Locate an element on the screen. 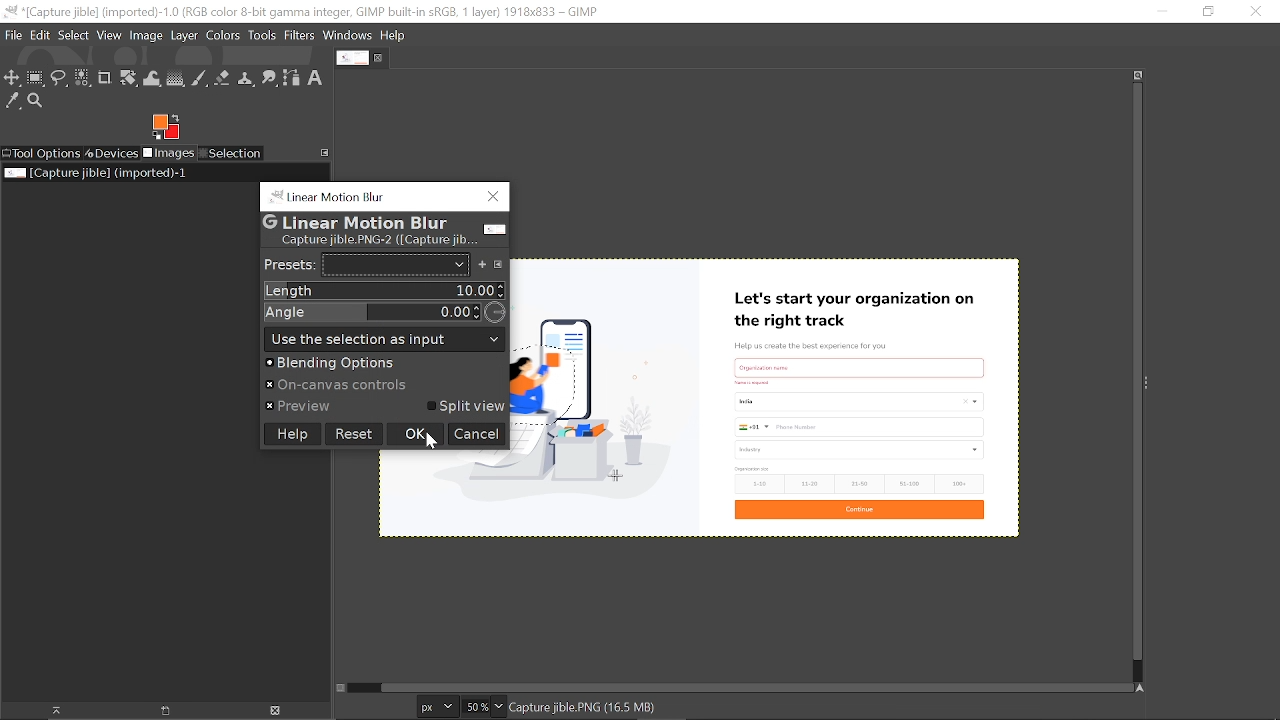 The image size is (1280, 720). Close is located at coordinates (1256, 11).